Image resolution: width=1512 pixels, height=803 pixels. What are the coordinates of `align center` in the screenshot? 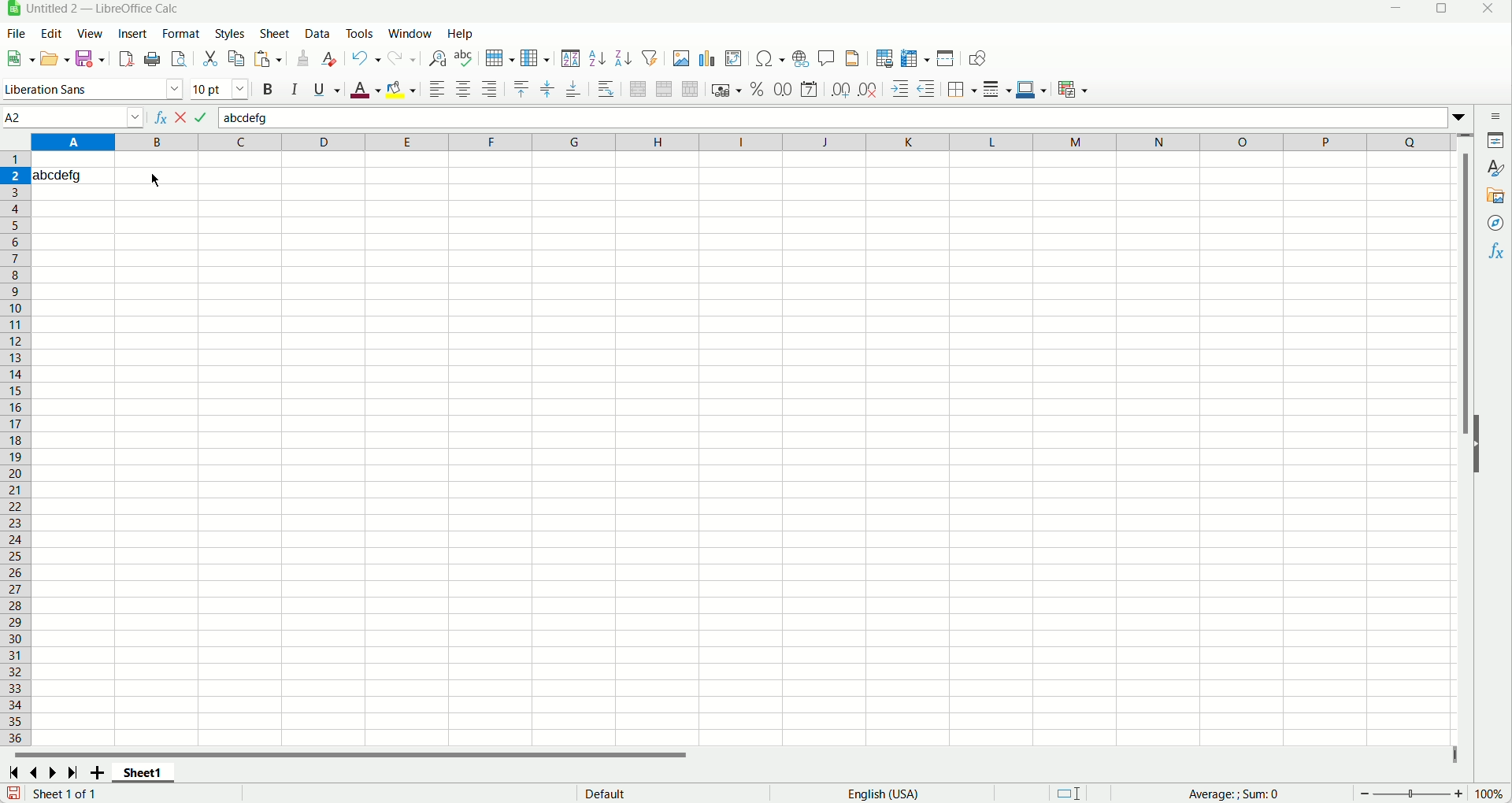 It's located at (463, 88).